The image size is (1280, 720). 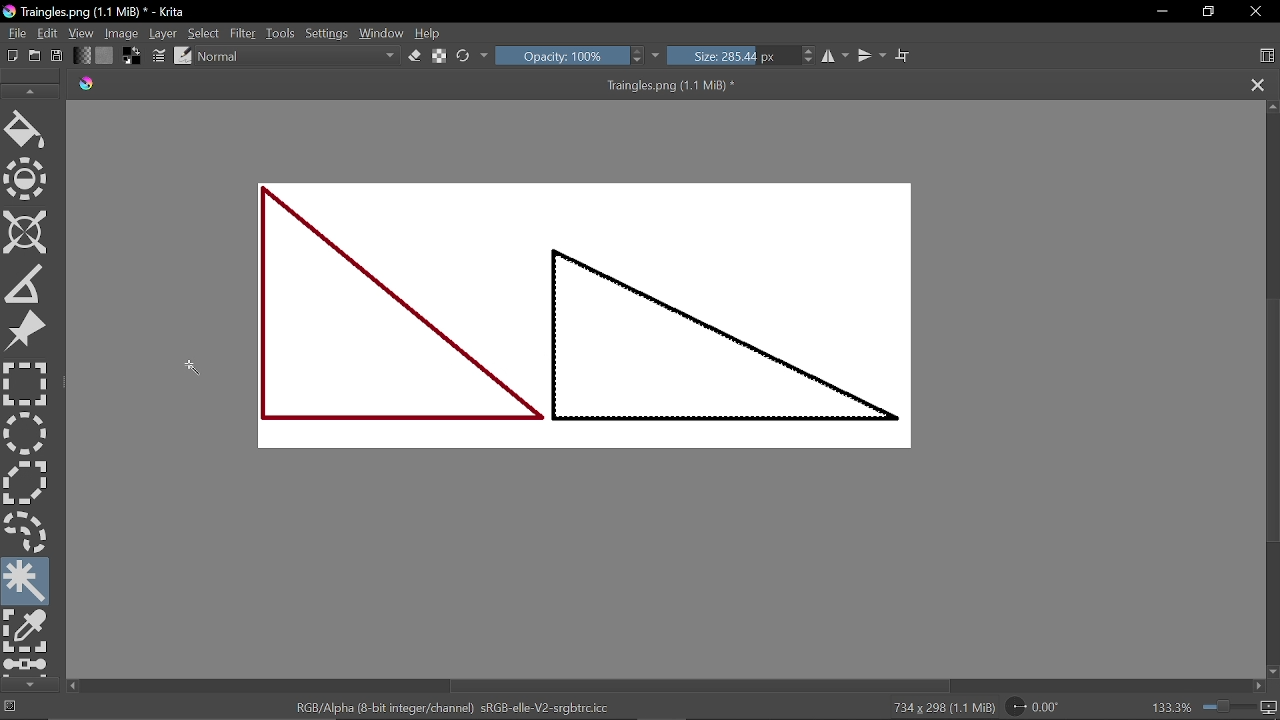 What do you see at coordinates (1162, 11) in the screenshot?
I see `Minimize` at bounding box center [1162, 11].